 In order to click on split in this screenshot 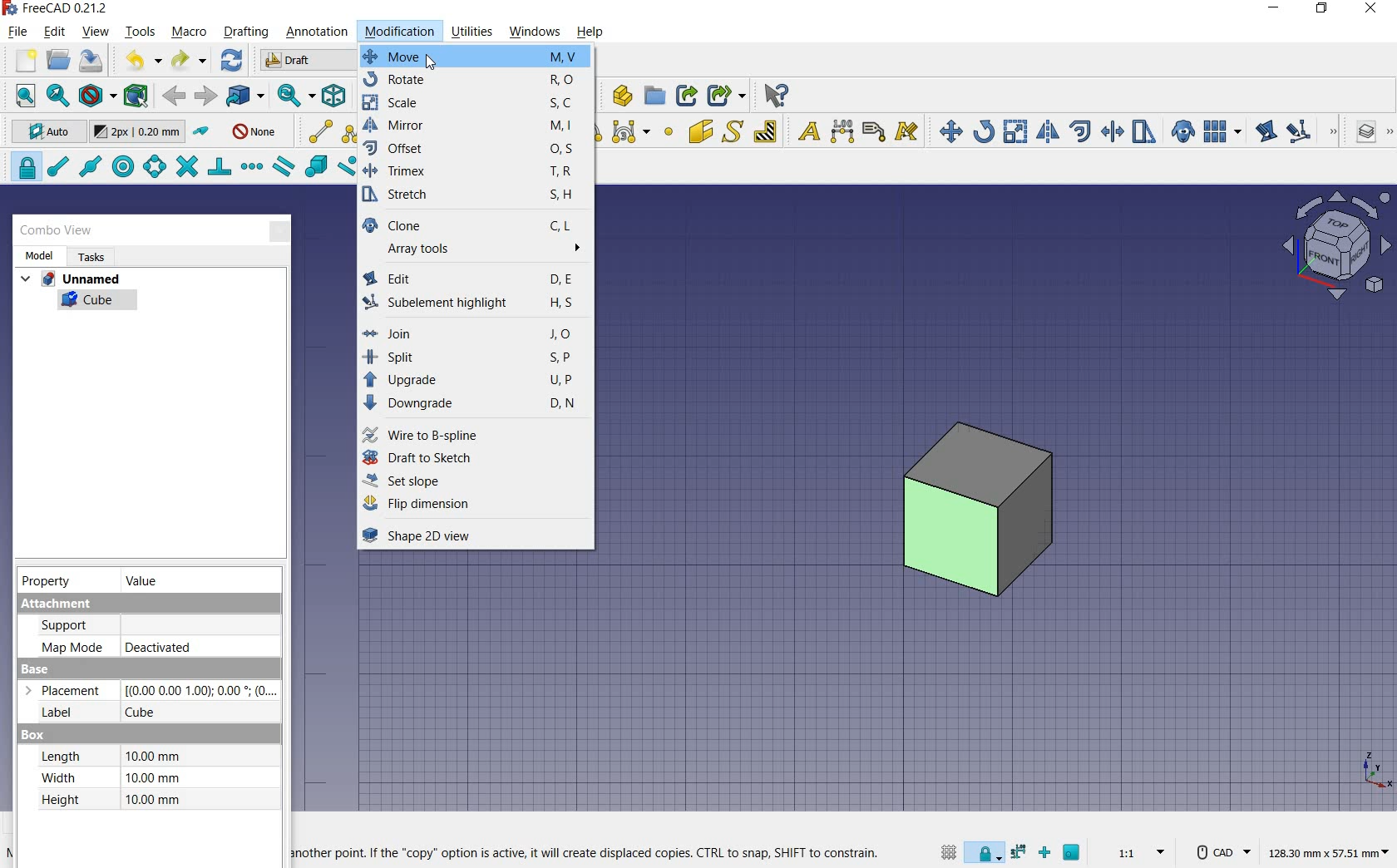, I will do `click(474, 357)`.